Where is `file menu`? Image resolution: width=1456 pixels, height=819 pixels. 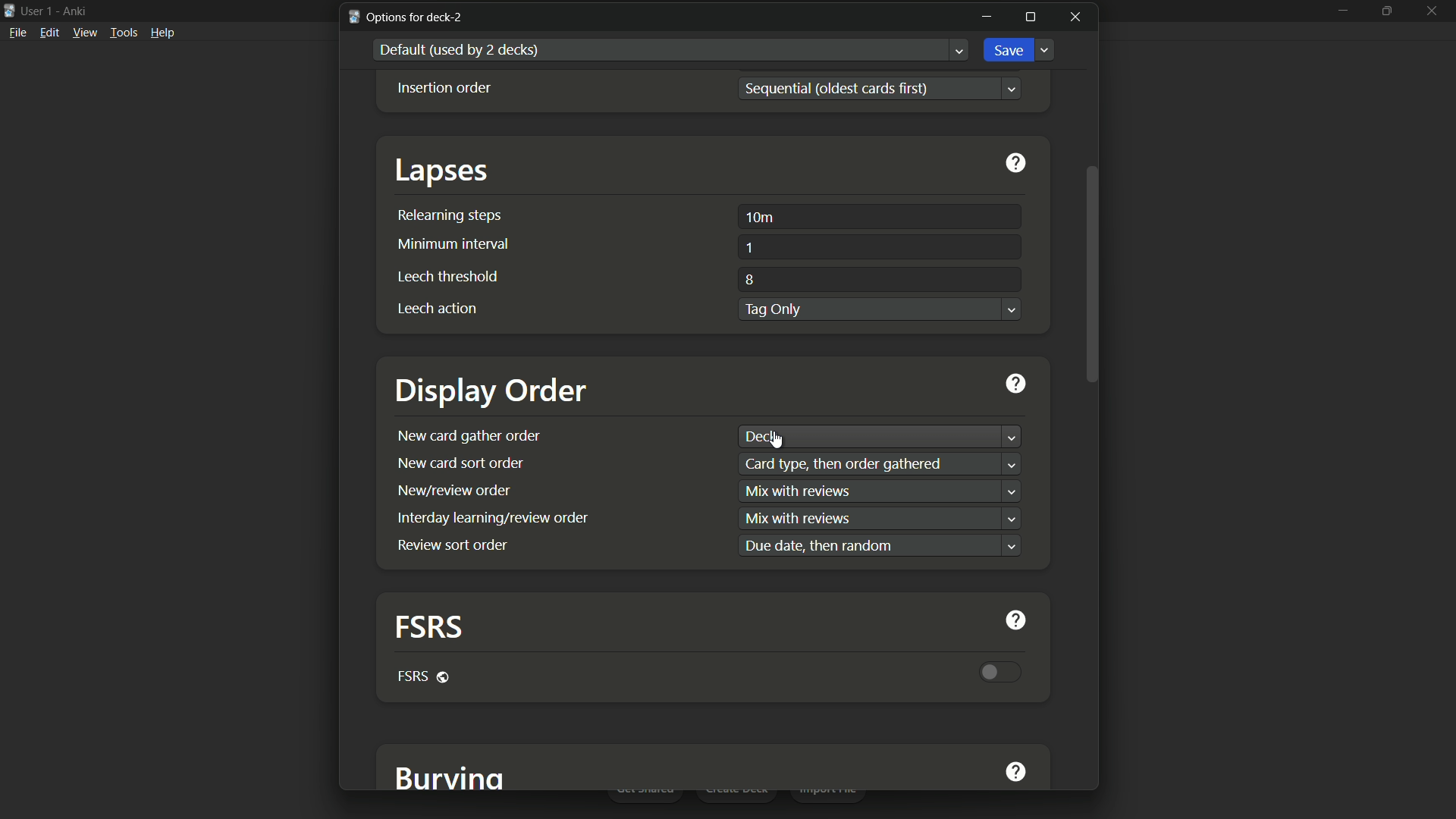 file menu is located at coordinates (17, 33).